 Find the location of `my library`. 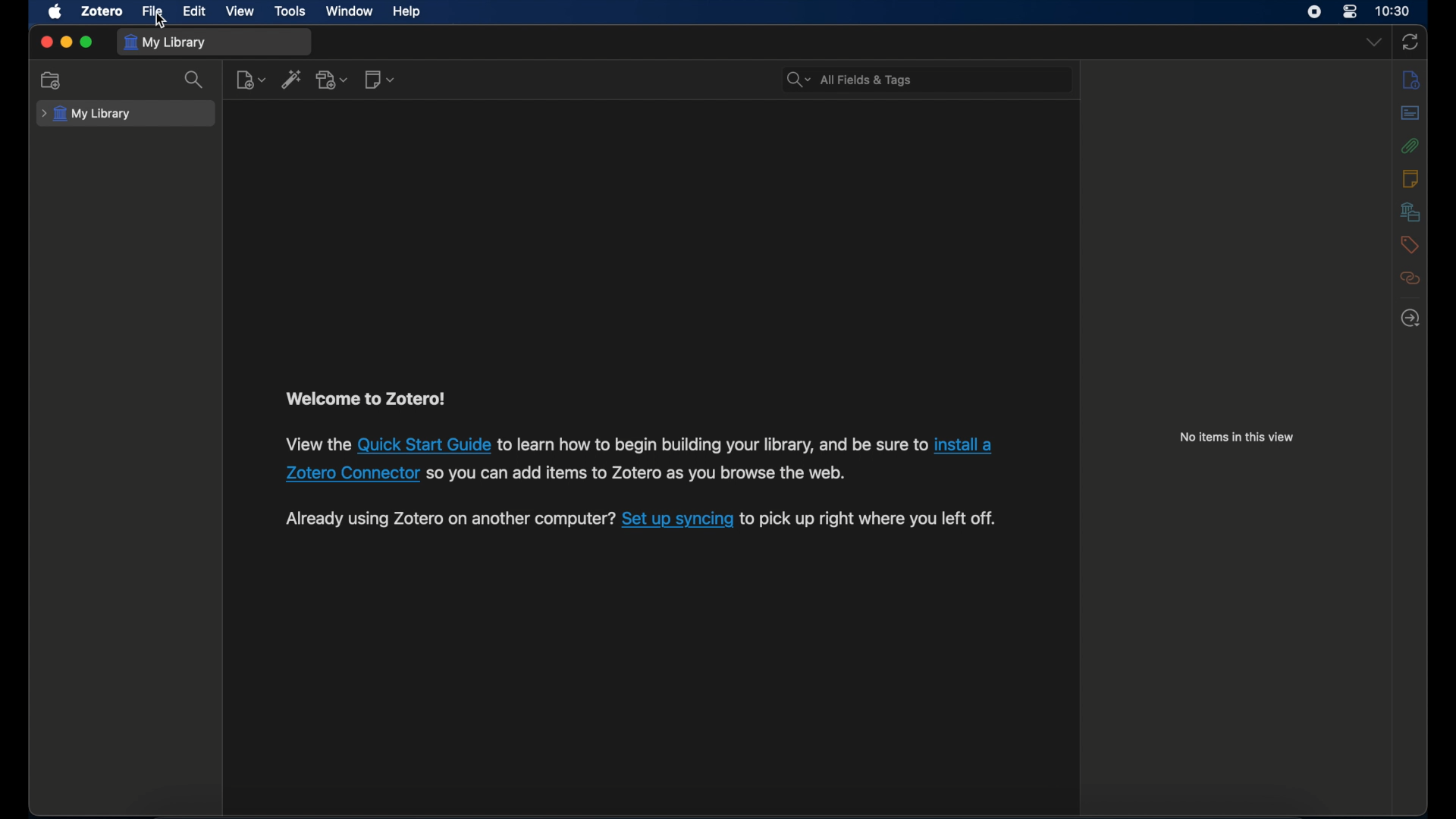

my library is located at coordinates (86, 115).